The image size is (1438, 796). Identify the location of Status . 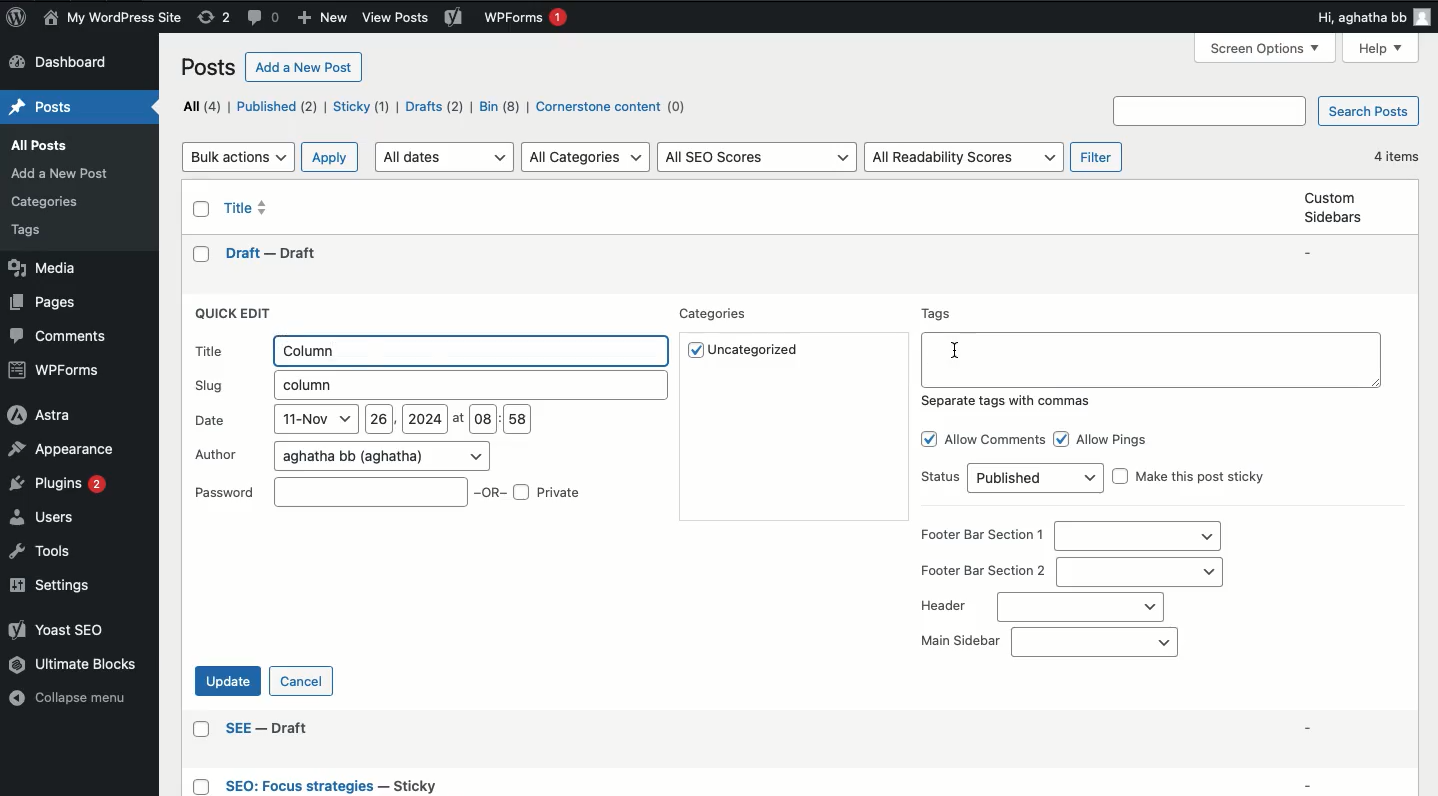
(1012, 480).